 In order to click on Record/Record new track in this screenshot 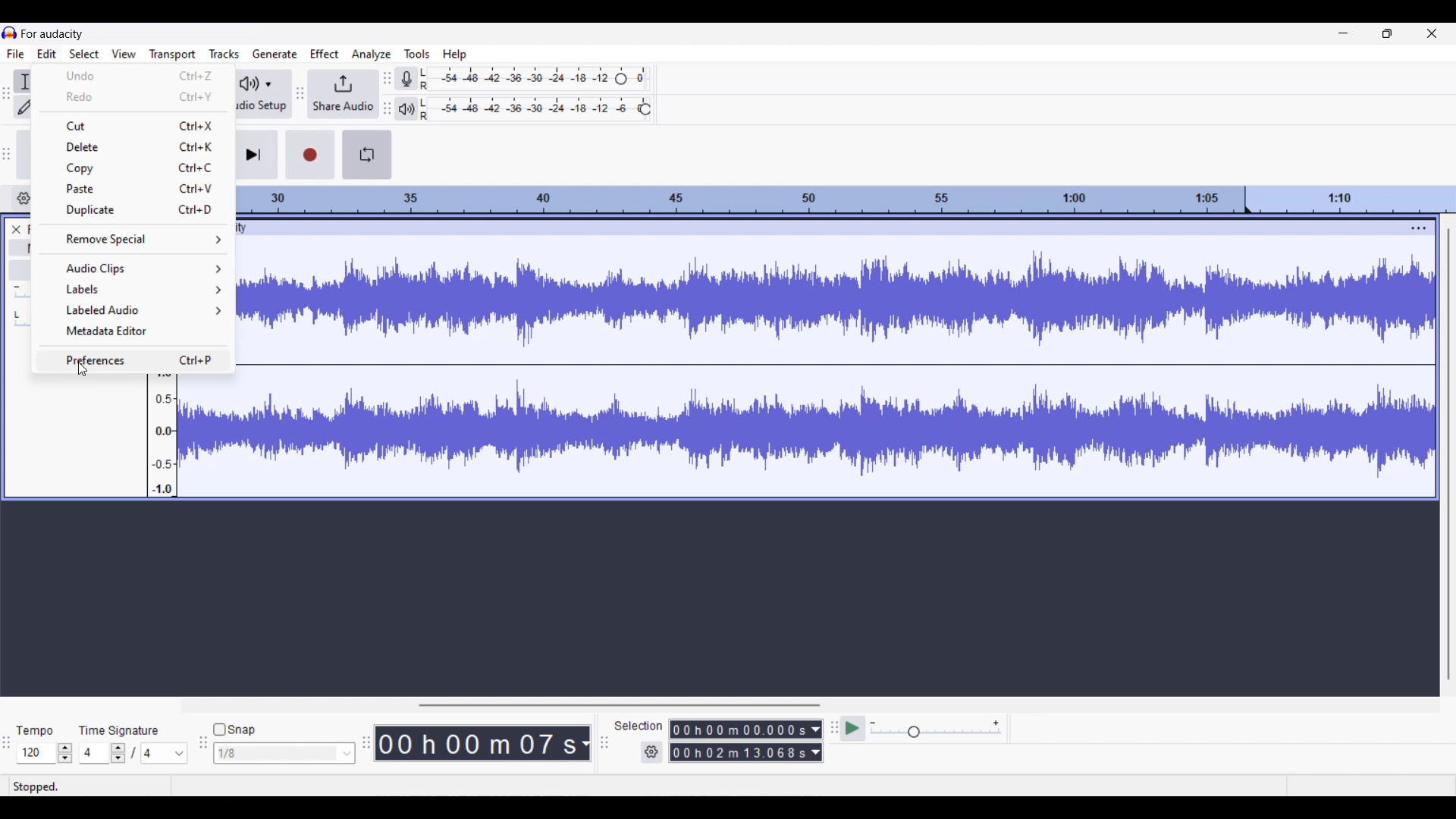, I will do `click(310, 155)`.